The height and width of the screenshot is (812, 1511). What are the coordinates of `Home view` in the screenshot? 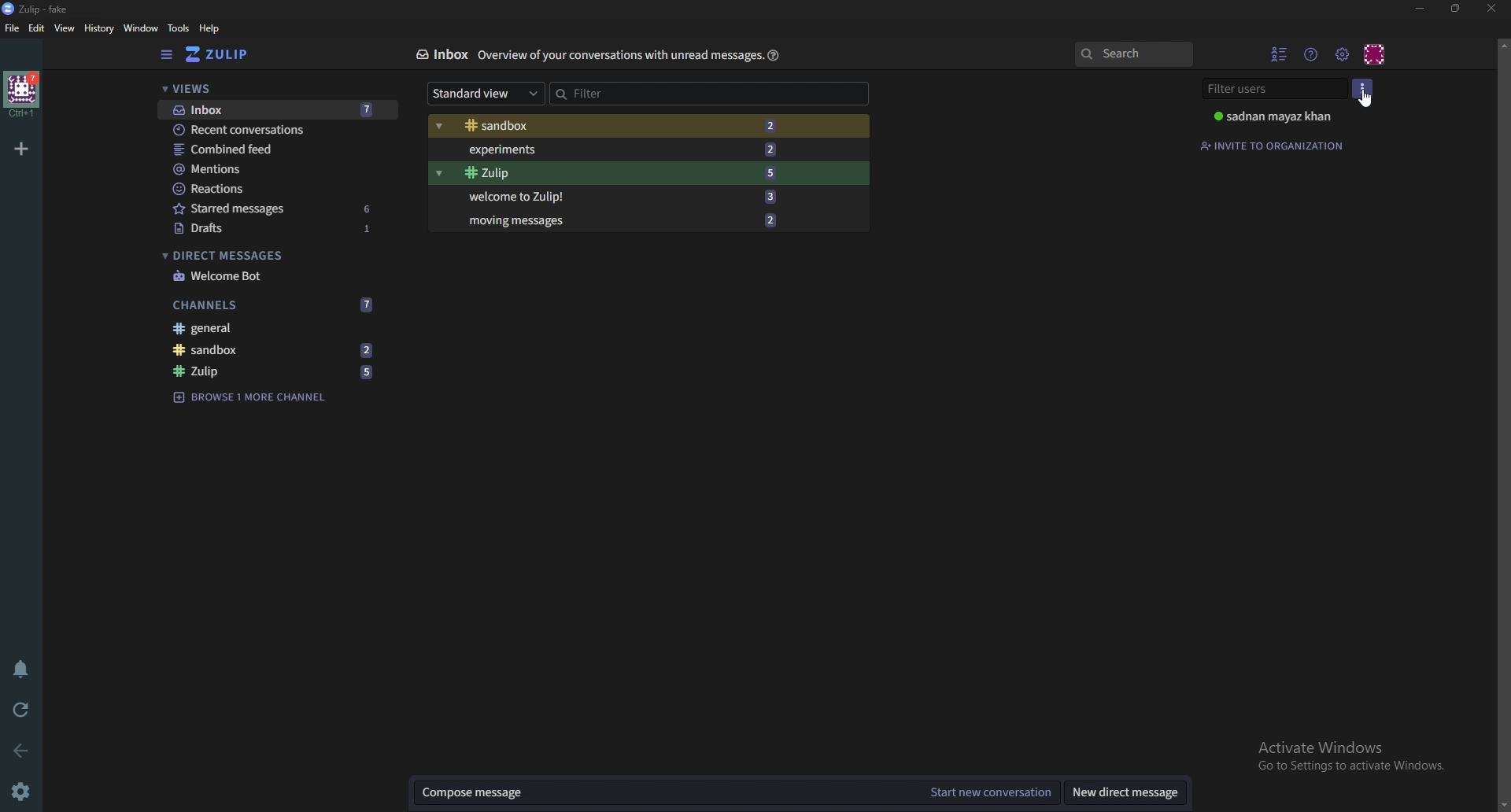 It's located at (222, 56).